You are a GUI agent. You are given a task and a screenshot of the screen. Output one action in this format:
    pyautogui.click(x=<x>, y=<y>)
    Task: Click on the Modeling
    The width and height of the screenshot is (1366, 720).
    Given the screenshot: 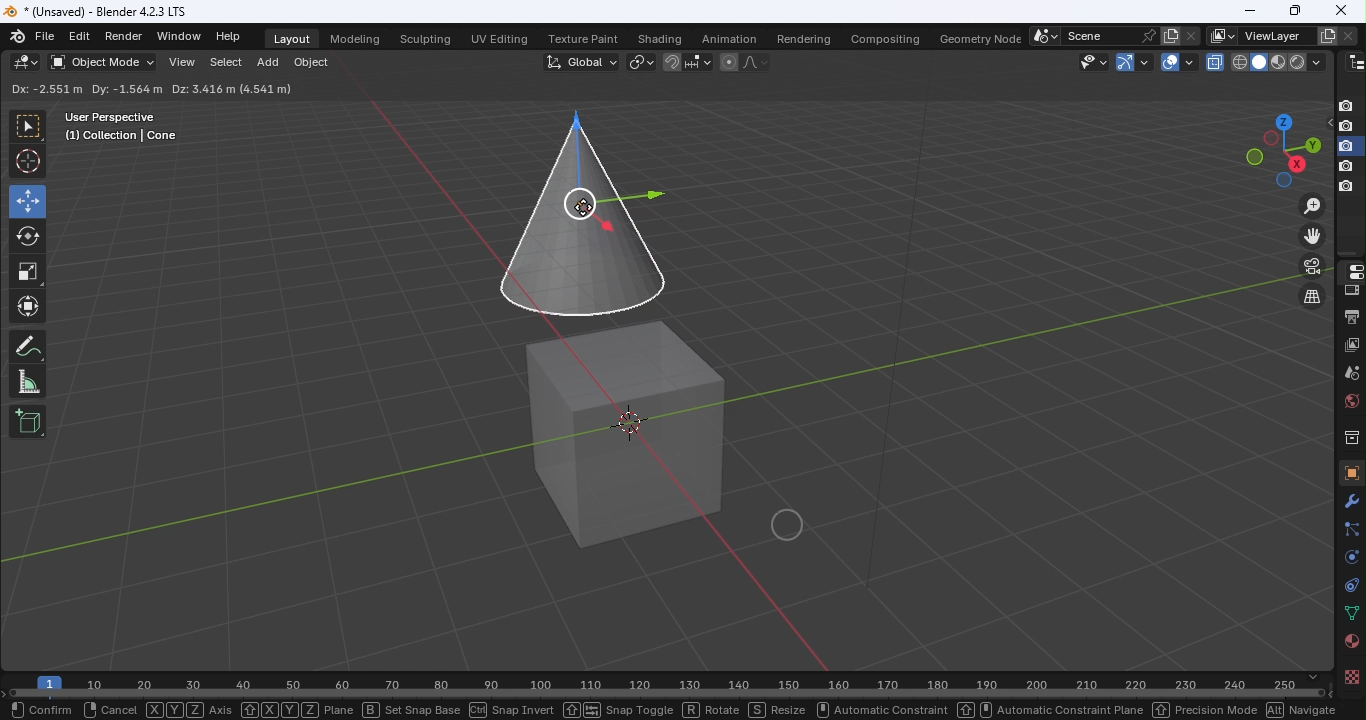 What is the action you would take?
    pyautogui.click(x=353, y=37)
    